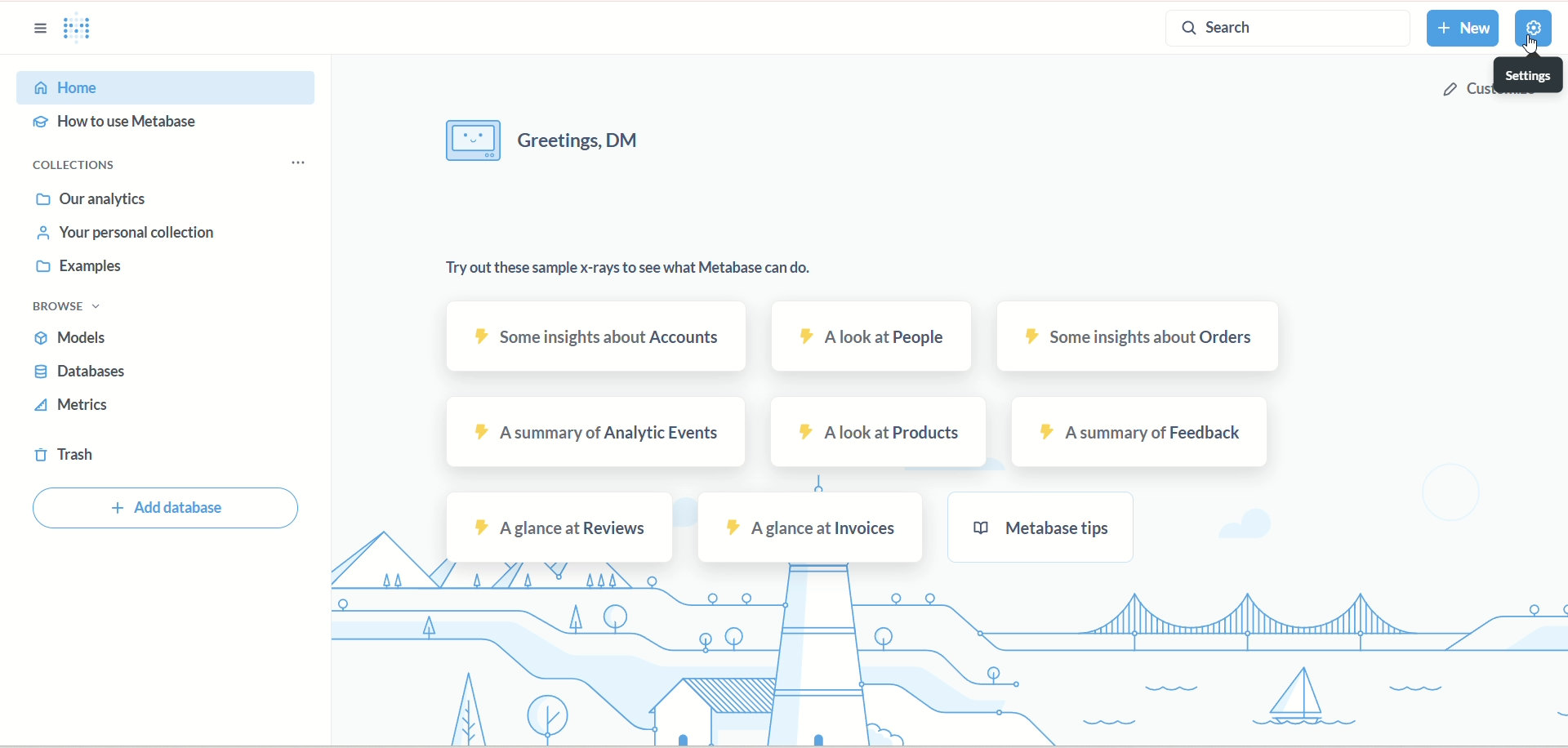 This screenshot has width=1568, height=748. Describe the element at coordinates (1461, 29) in the screenshot. I see `new` at that location.